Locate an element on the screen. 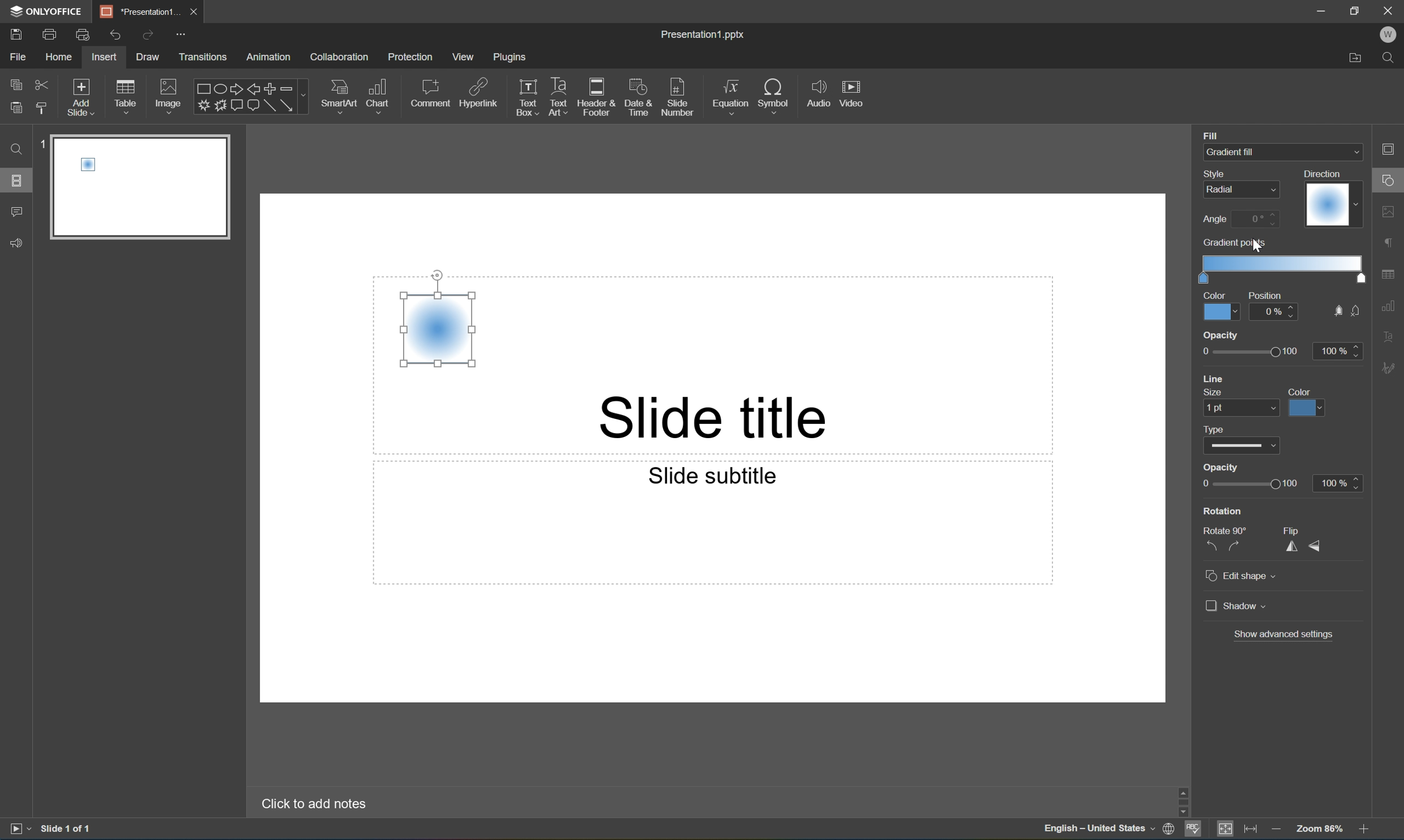  Home is located at coordinates (60, 57).